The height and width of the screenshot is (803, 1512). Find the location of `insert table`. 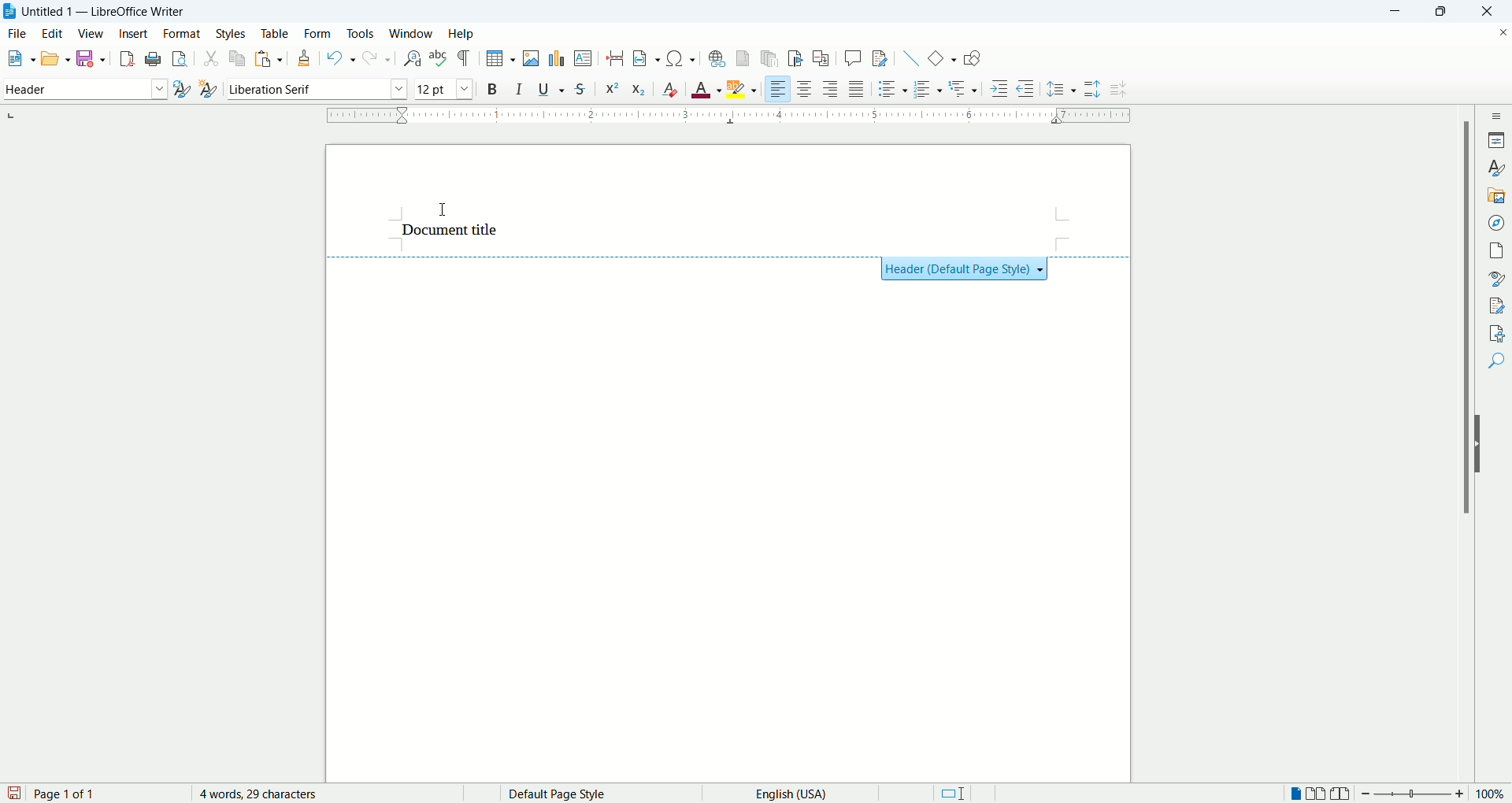

insert table is located at coordinates (501, 59).